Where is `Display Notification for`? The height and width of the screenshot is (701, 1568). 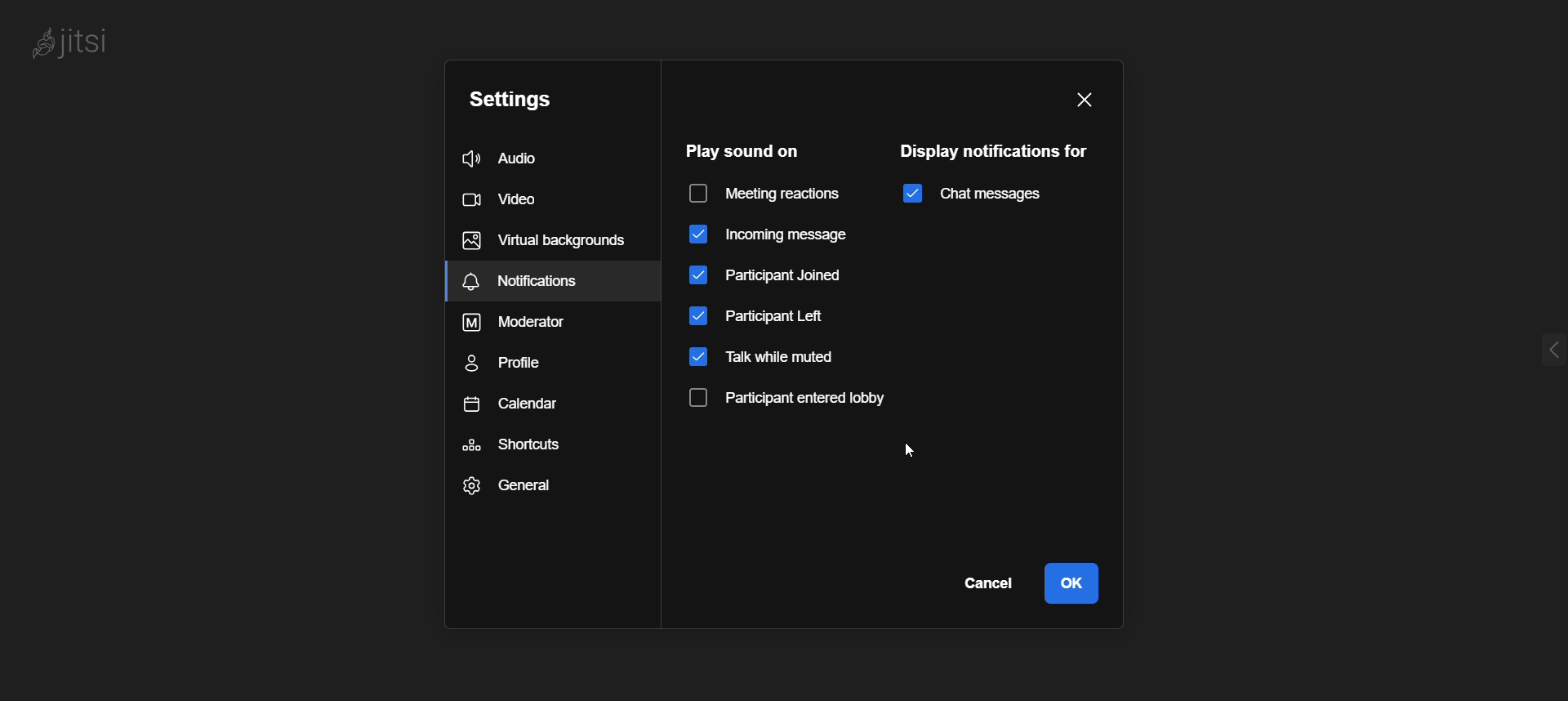 Display Notification for is located at coordinates (997, 150).